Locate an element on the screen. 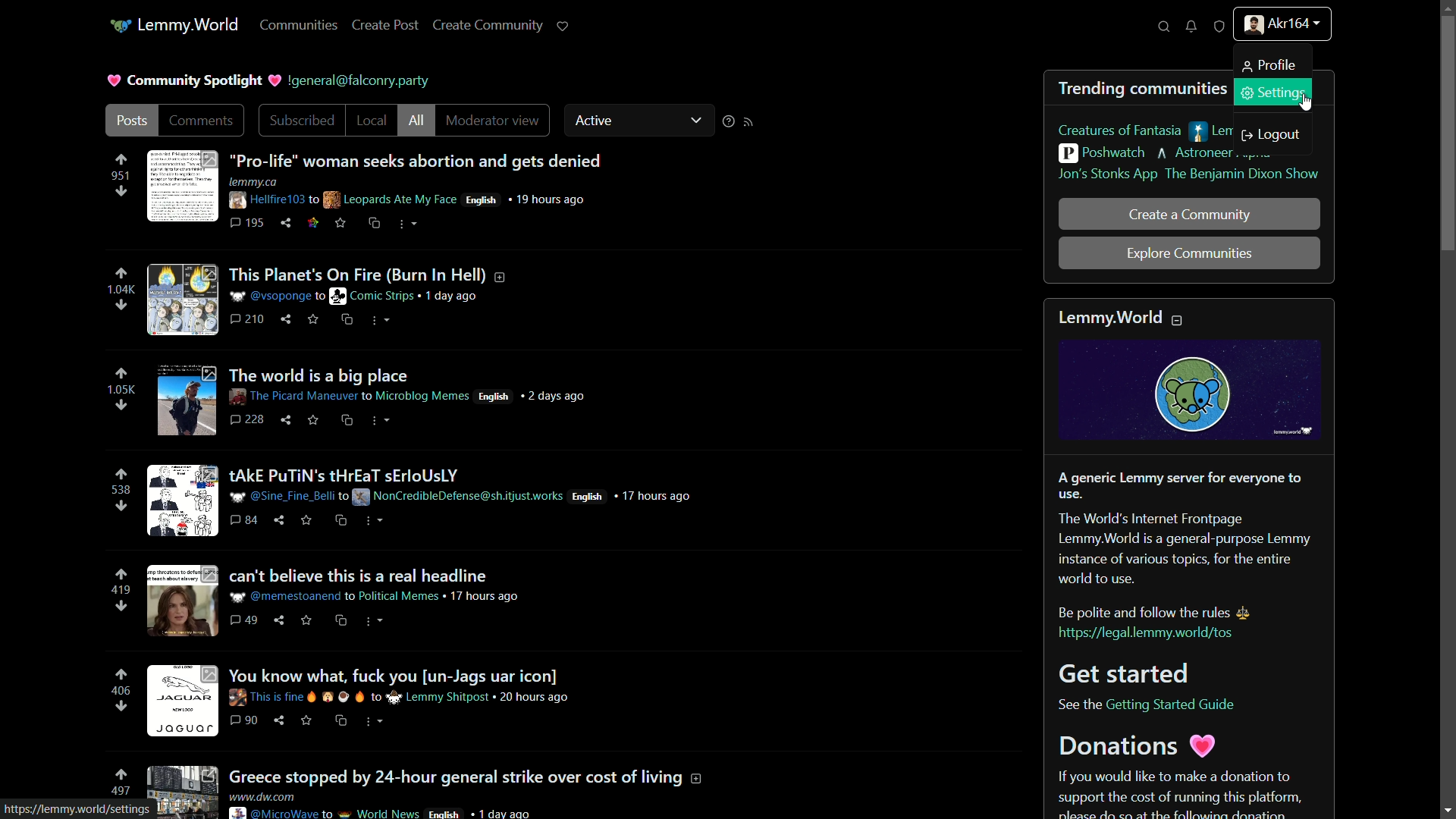 This screenshot has width=1456, height=819. create a community is located at coordinates (1191, 215).